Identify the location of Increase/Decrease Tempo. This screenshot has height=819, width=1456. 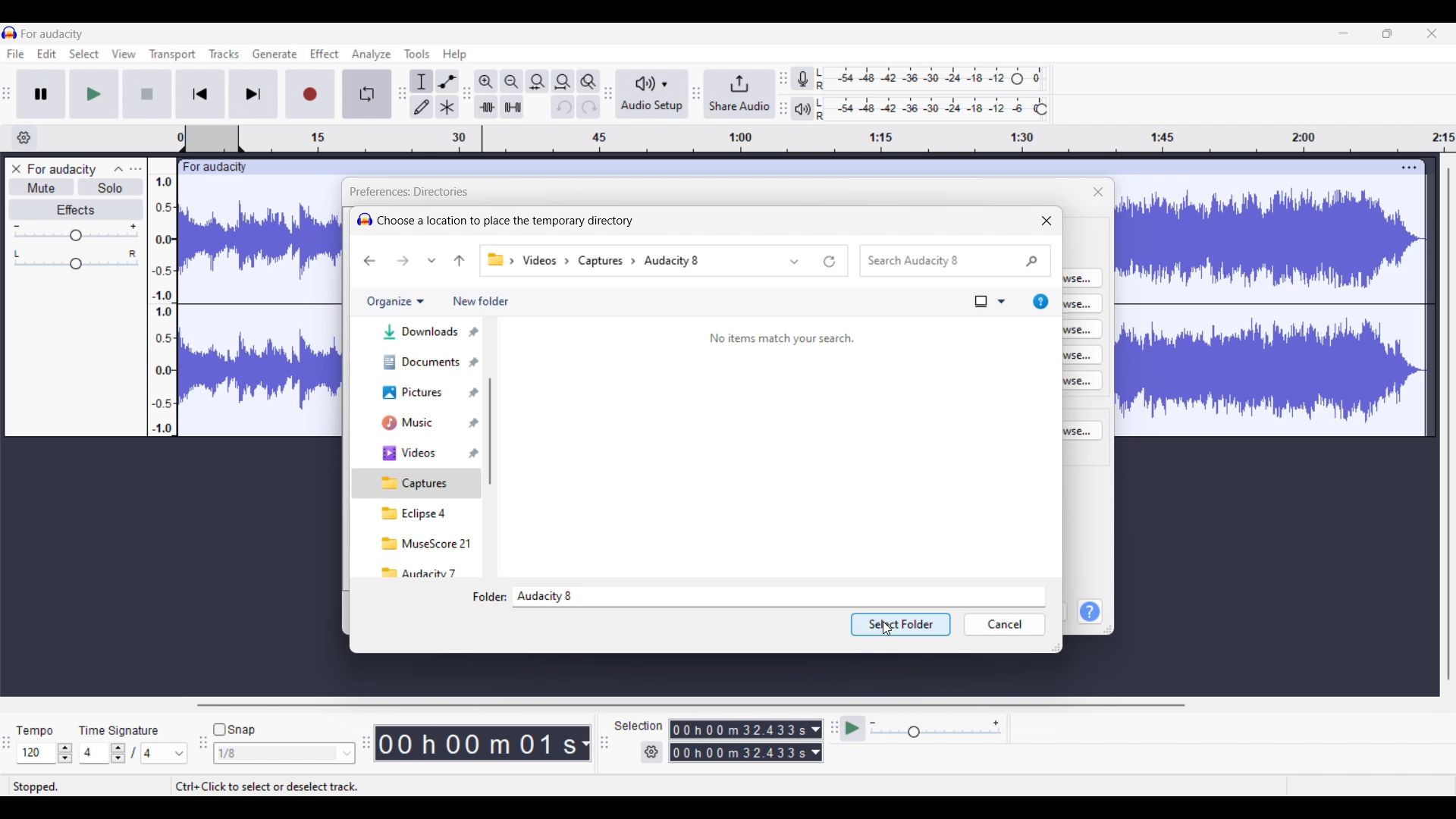
(65, 753).